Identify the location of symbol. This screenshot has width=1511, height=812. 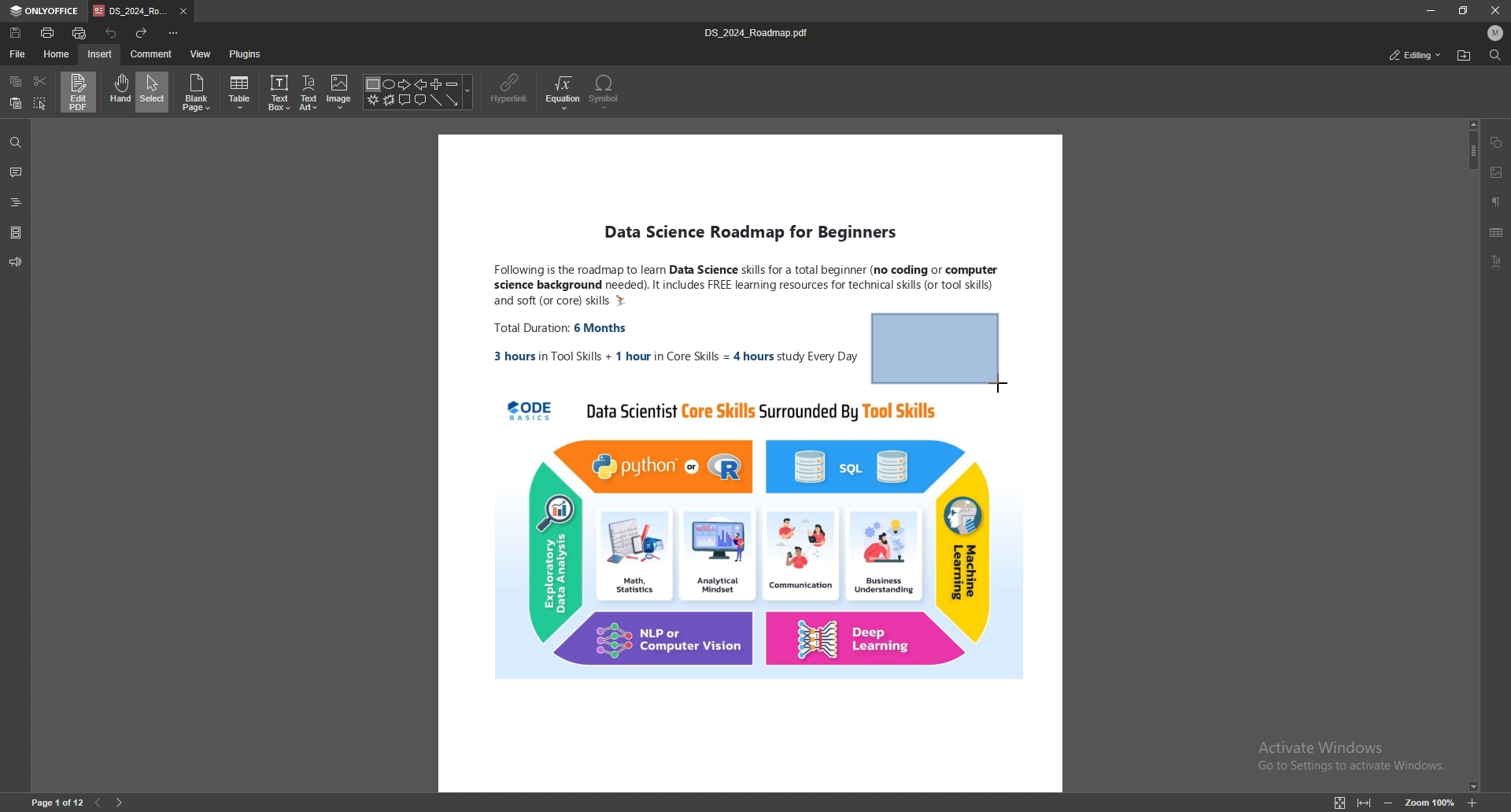
(605, 92).